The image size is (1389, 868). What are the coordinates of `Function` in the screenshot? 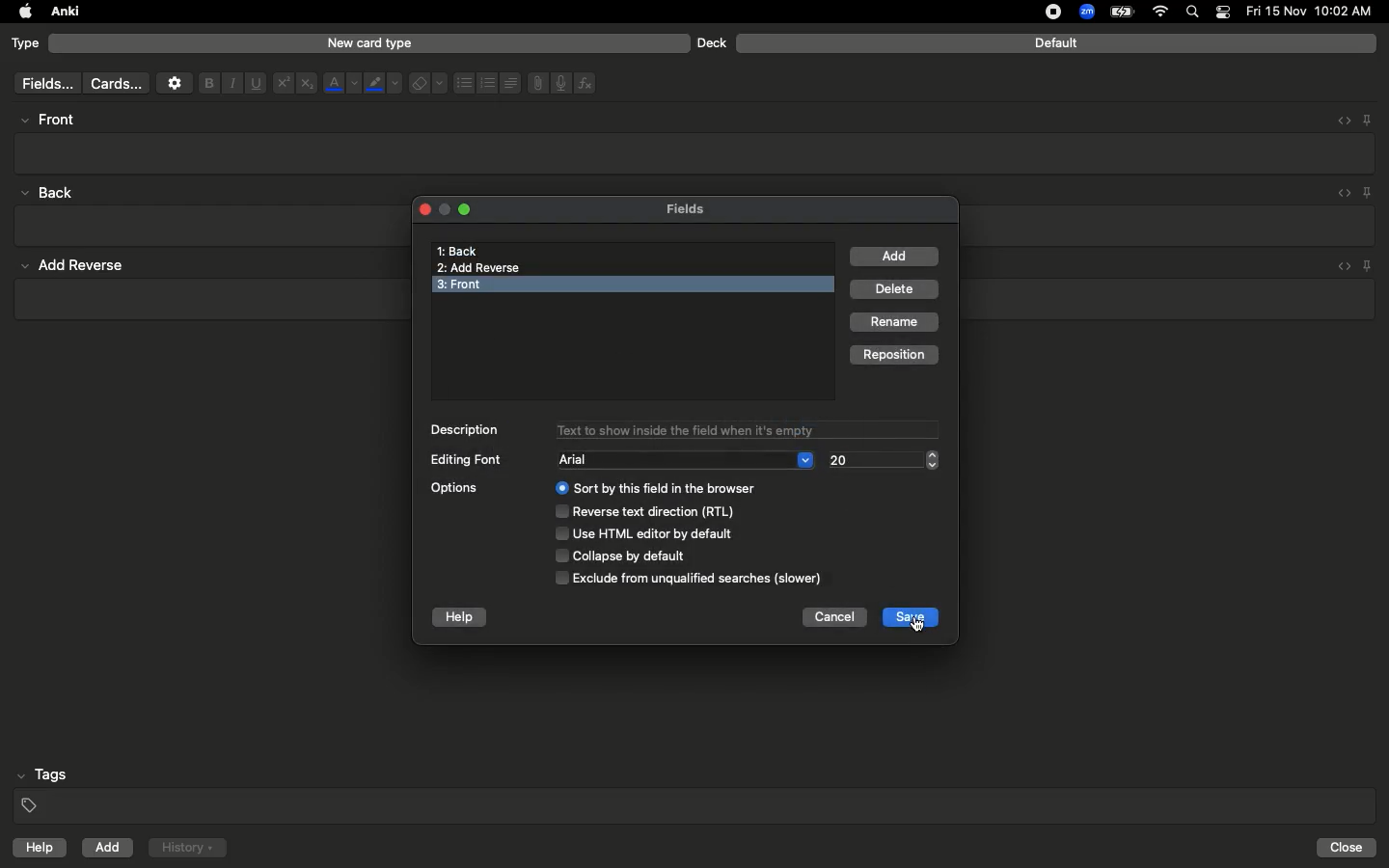 It's located at (586, 83).